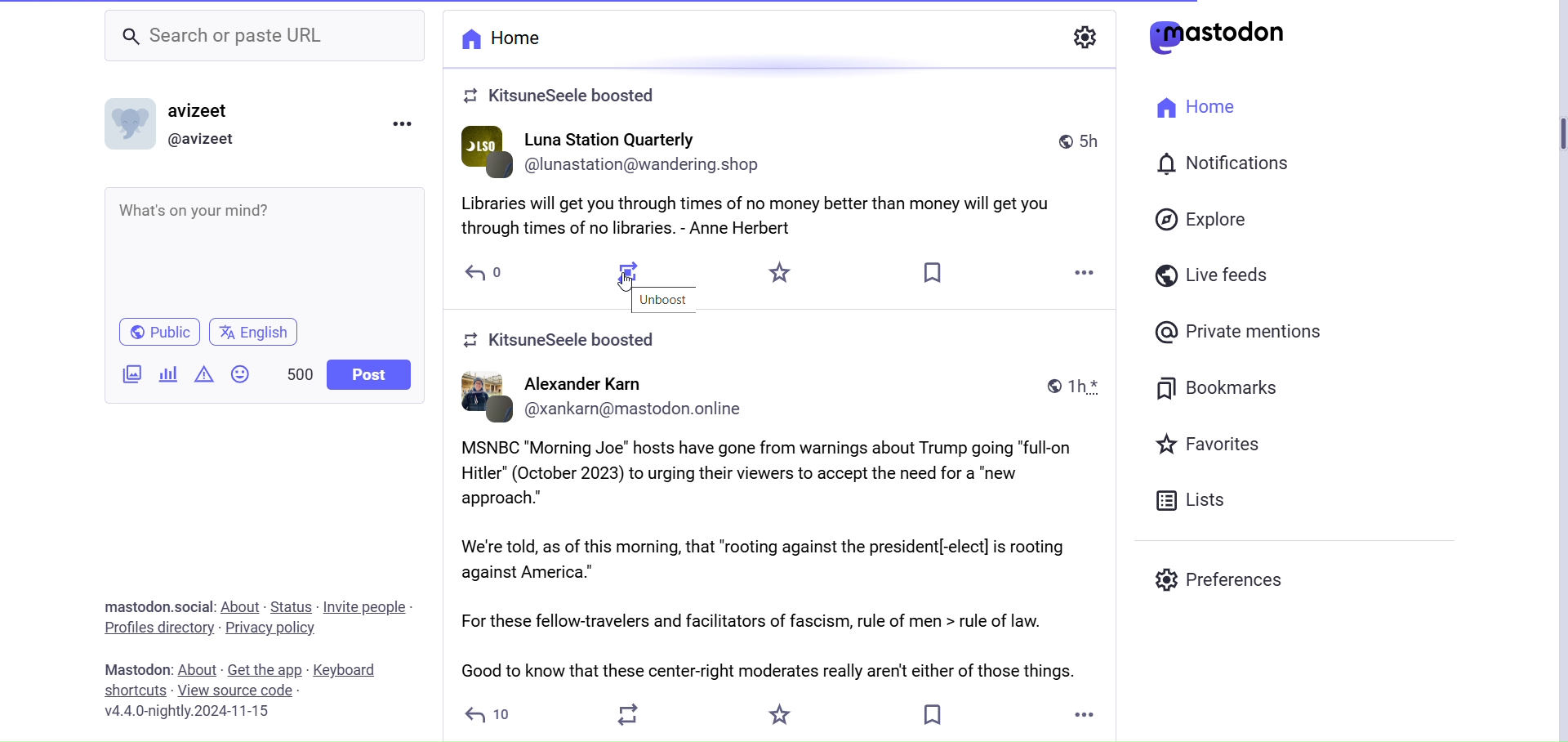  What do you see at coordinates (1242, 331) in the screenshot?
I see `Private Mentions` at bounding box center [1242, 331].